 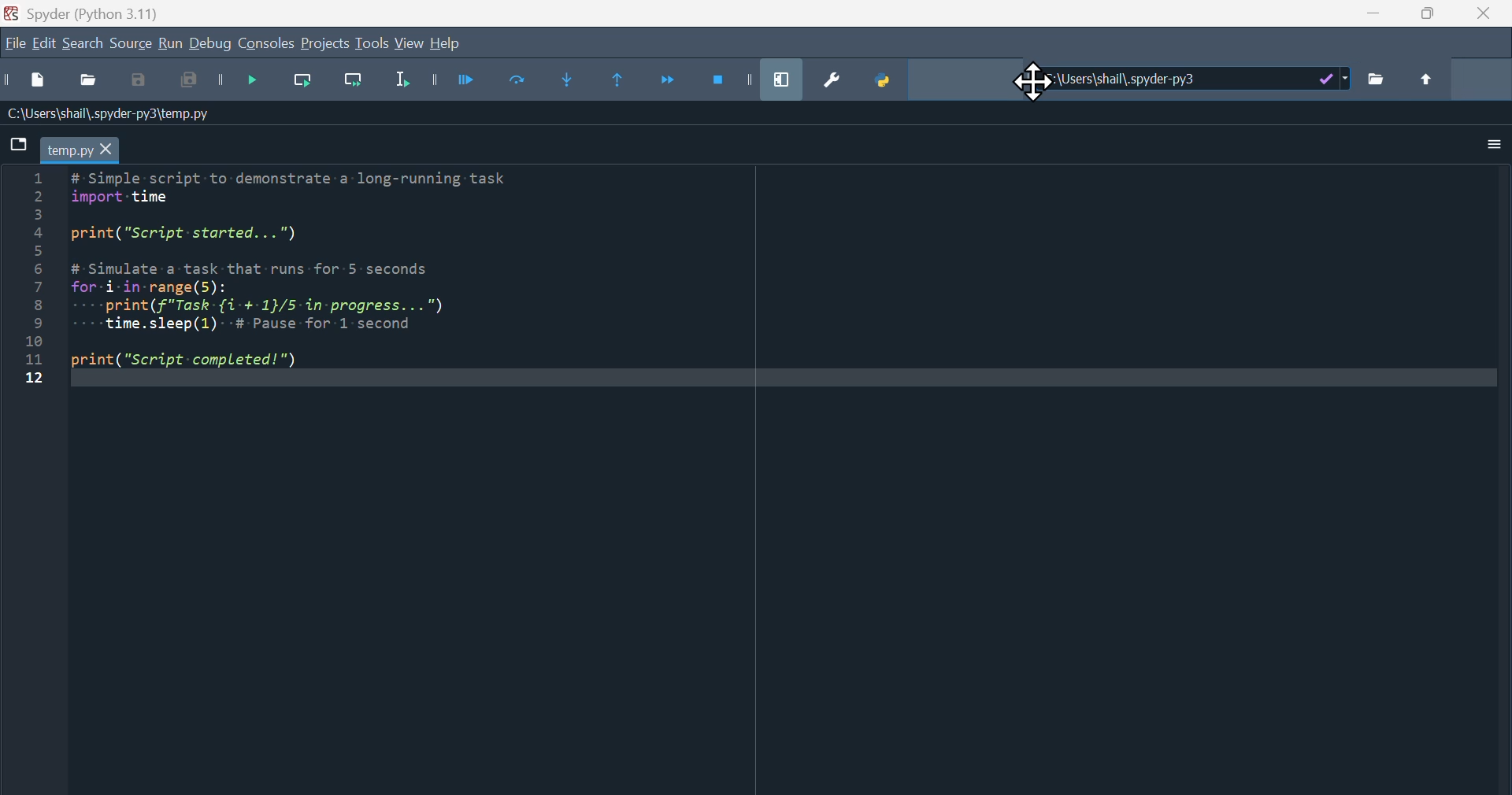 What do you see at coordinates (403, 86) in the screenshot?
I see `Run selection` at bounding box center [403, 86].